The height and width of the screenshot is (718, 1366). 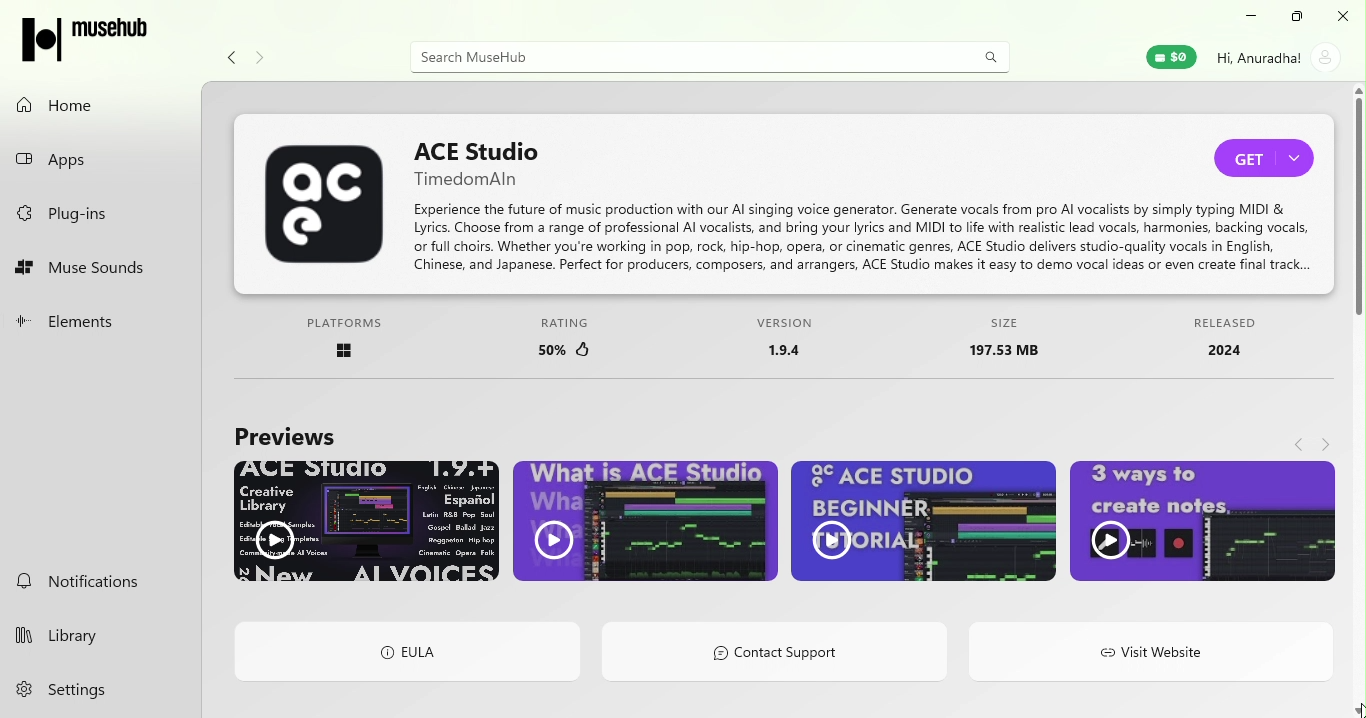 What do you see at coordinates (409, 653) in the screenshot?
I see `EULA` at bounding box center [409, 653].